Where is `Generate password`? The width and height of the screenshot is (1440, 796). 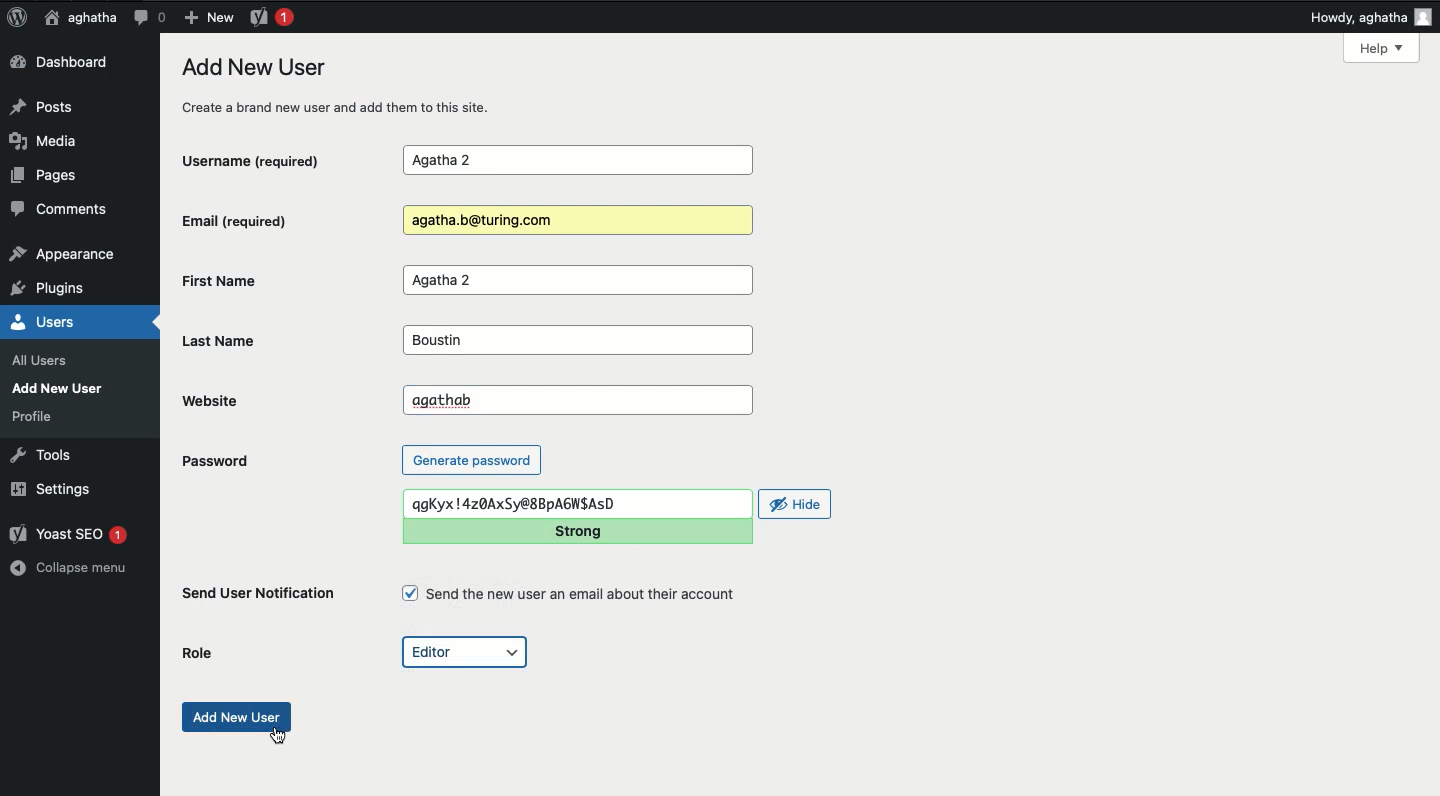
Generate password is located at coordinates (472, 459).